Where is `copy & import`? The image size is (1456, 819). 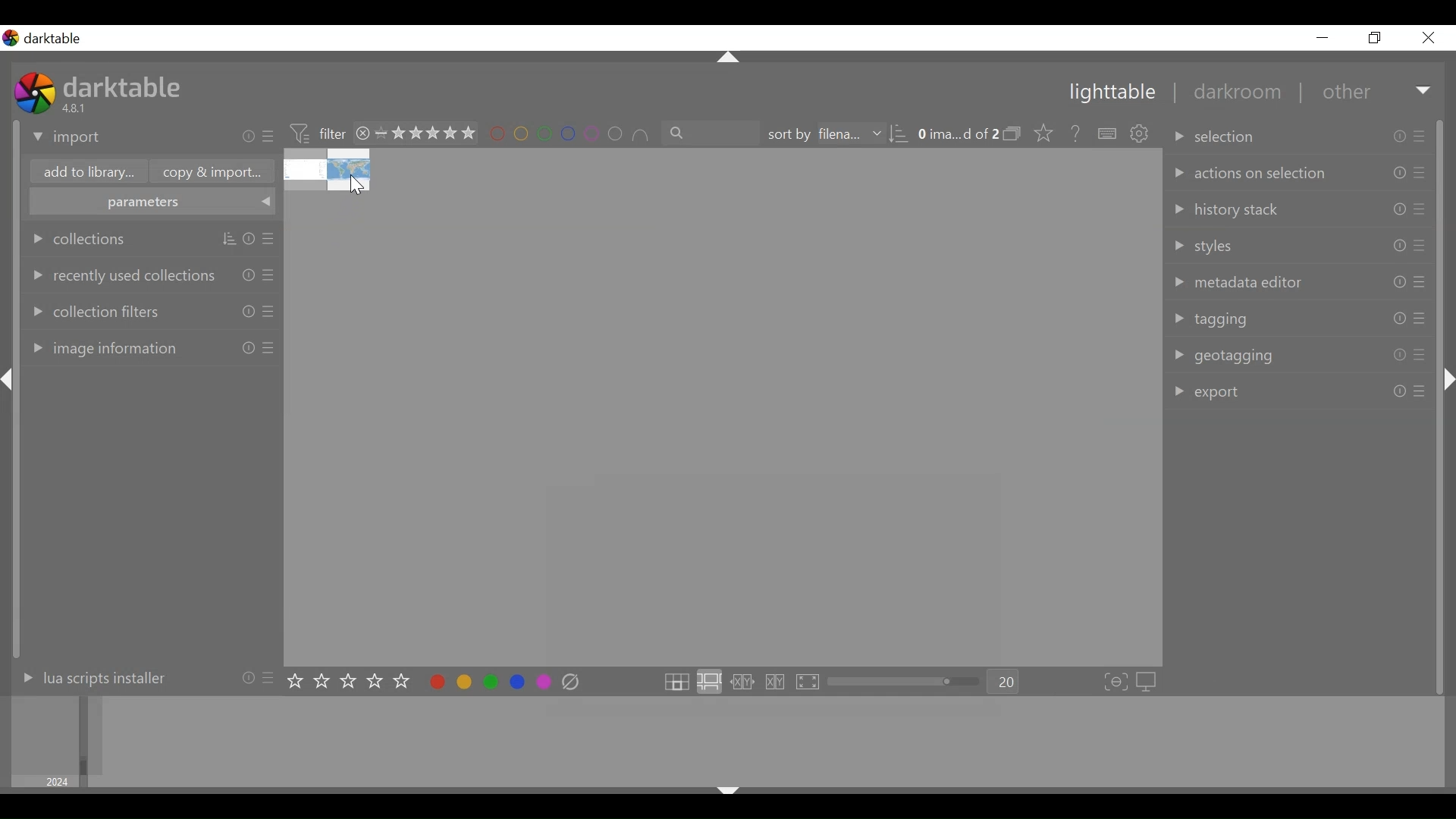 copy & import is located at coordinates (211, 171).